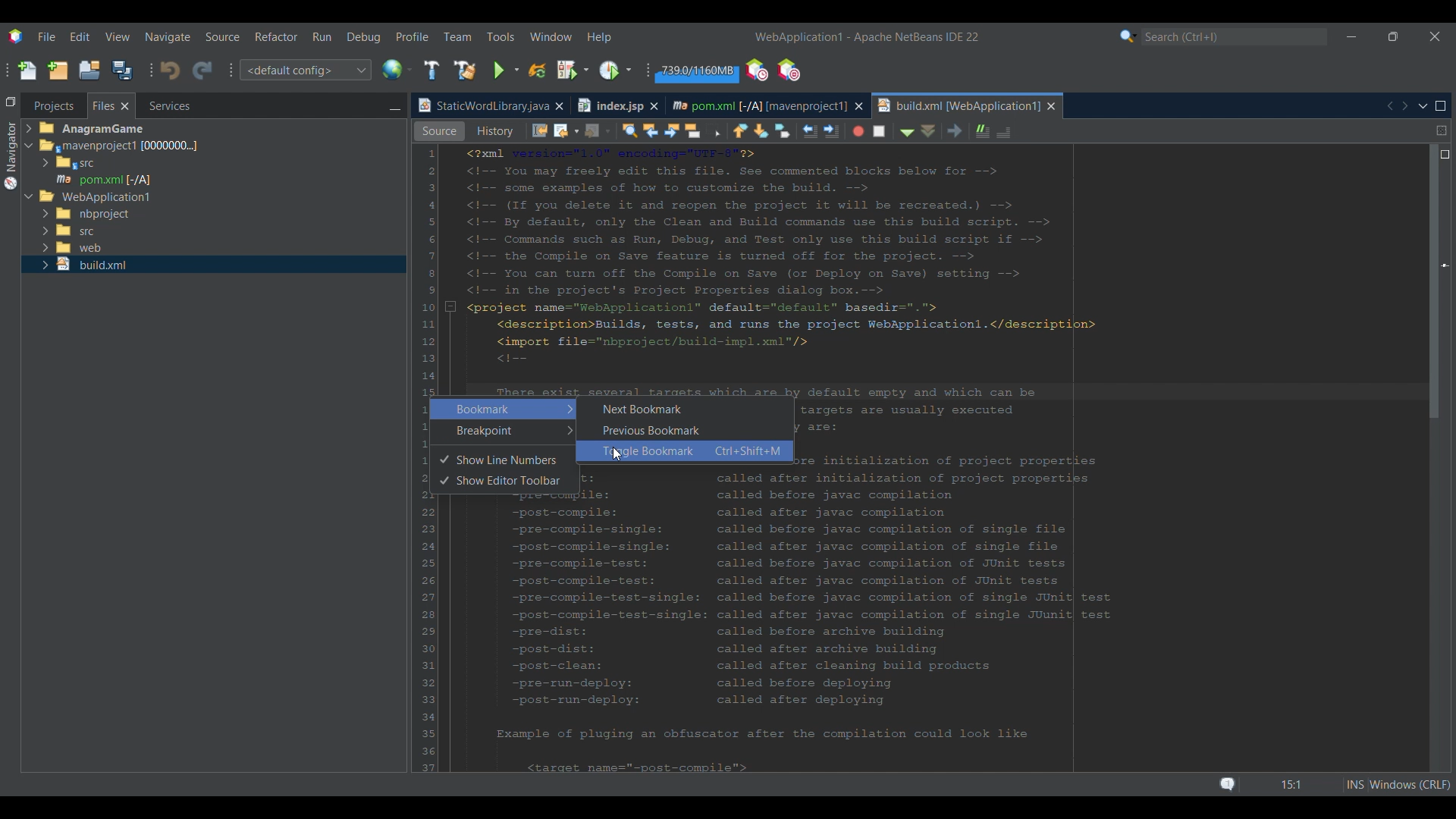 This screenshot has width=1456, height=819. I want to click on Next bookmark, so click(899, 130).